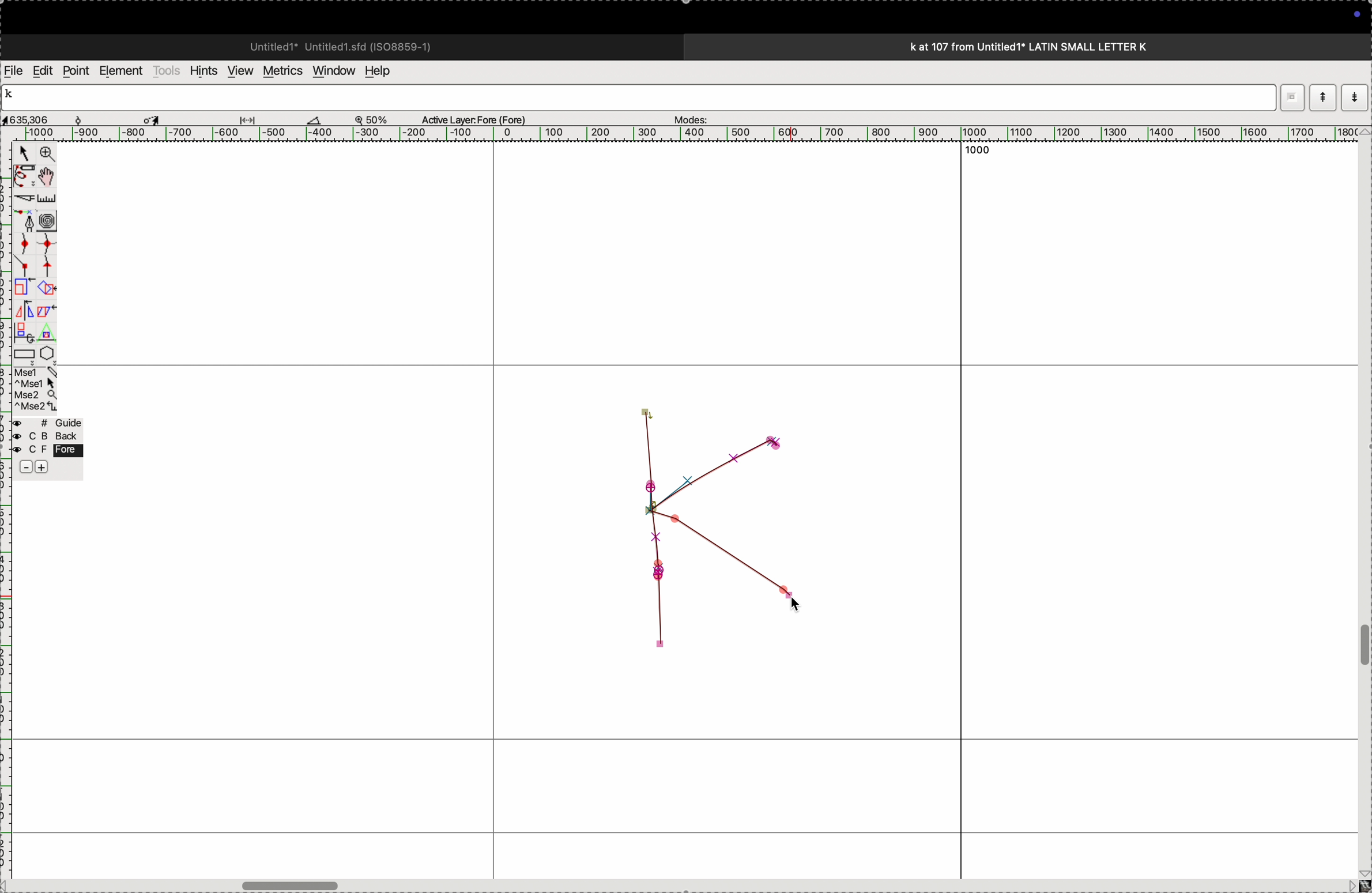 This screenshot has width=1372, height=893. Describe the element at coordinates (201, 70) in the screenshot. I see `hints` at that location.